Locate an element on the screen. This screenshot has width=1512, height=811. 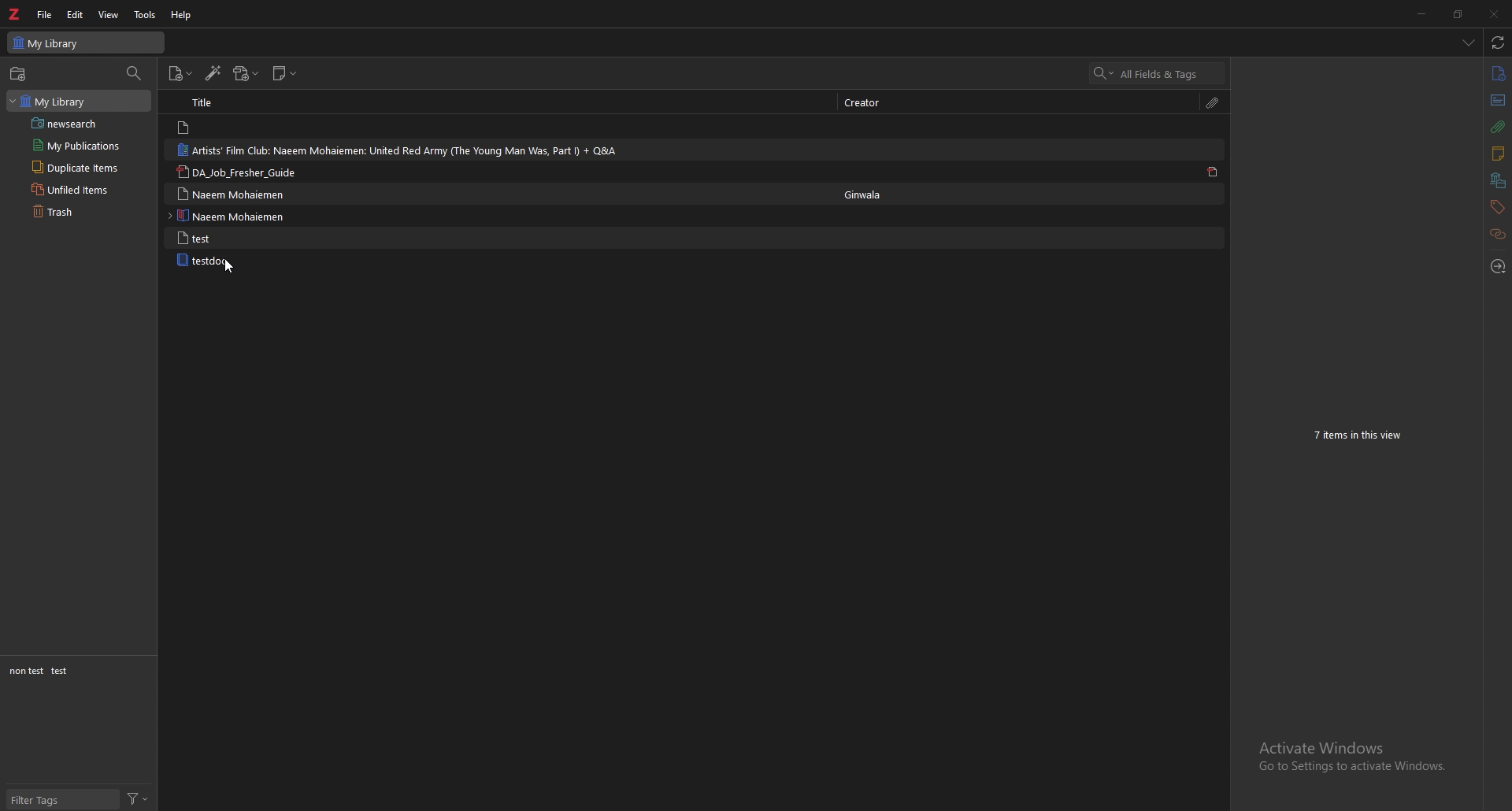
filter tags is located at coordinates (62, 799).